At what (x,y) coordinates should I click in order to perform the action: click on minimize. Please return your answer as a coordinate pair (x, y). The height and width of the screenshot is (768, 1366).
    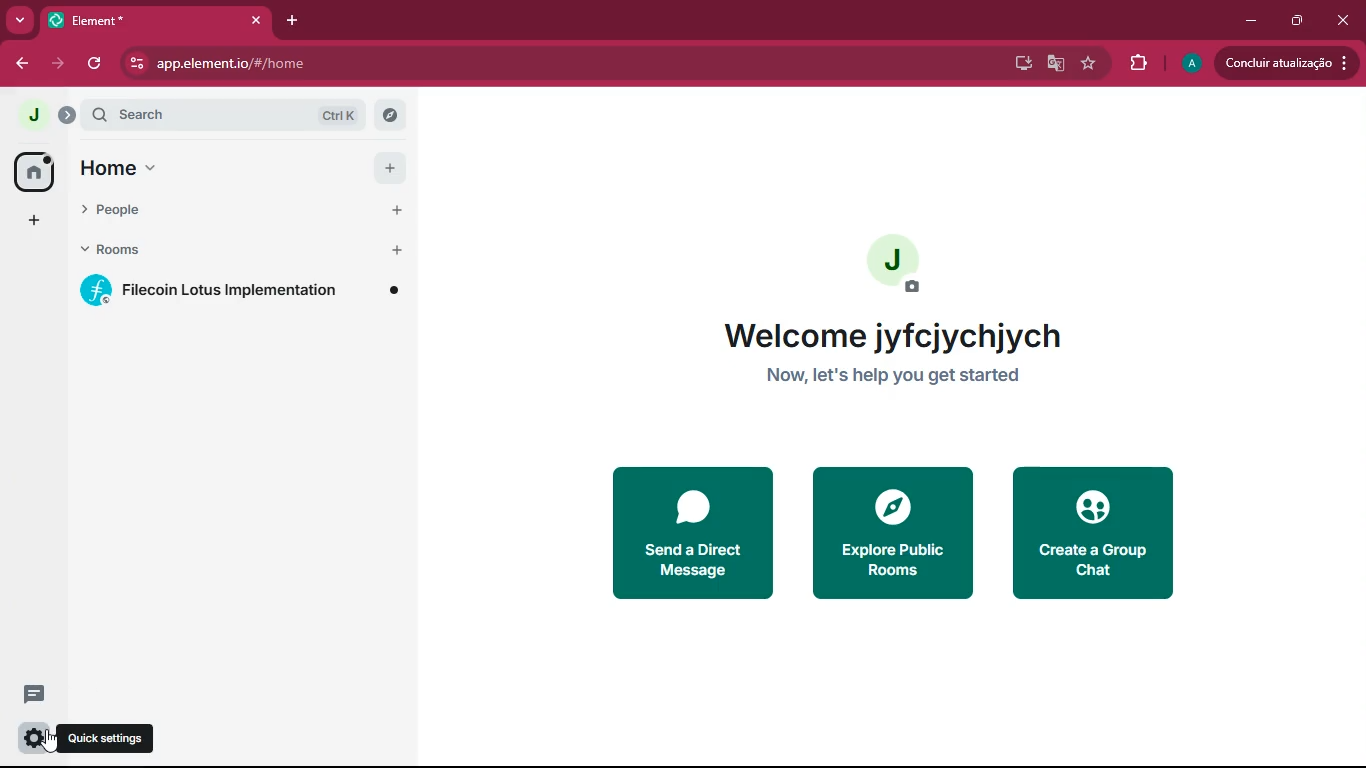
    Looking at the image, I should click on (1250, 21).